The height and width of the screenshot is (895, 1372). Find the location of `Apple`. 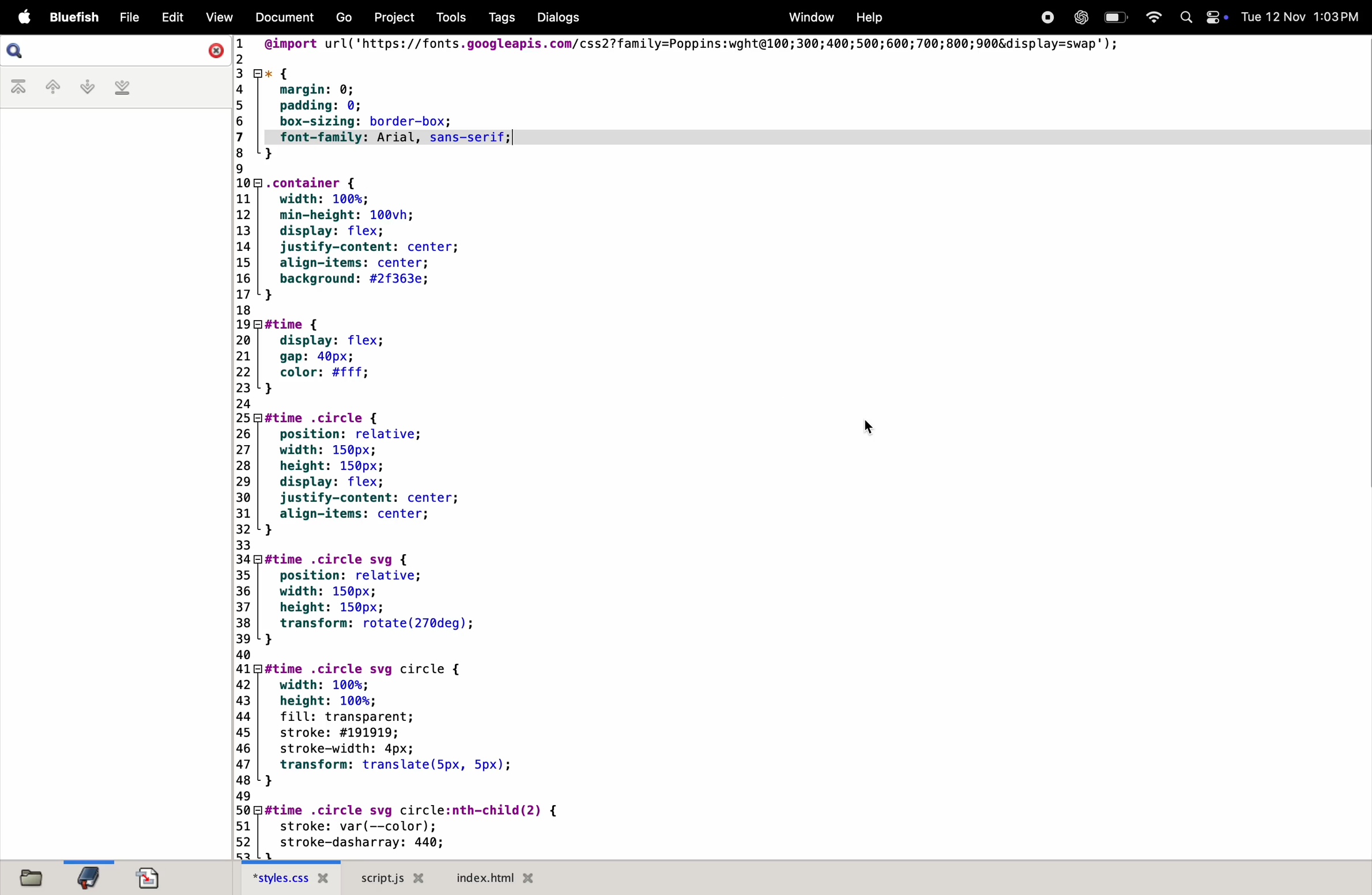

Apple is located at coordinates (19, 16).